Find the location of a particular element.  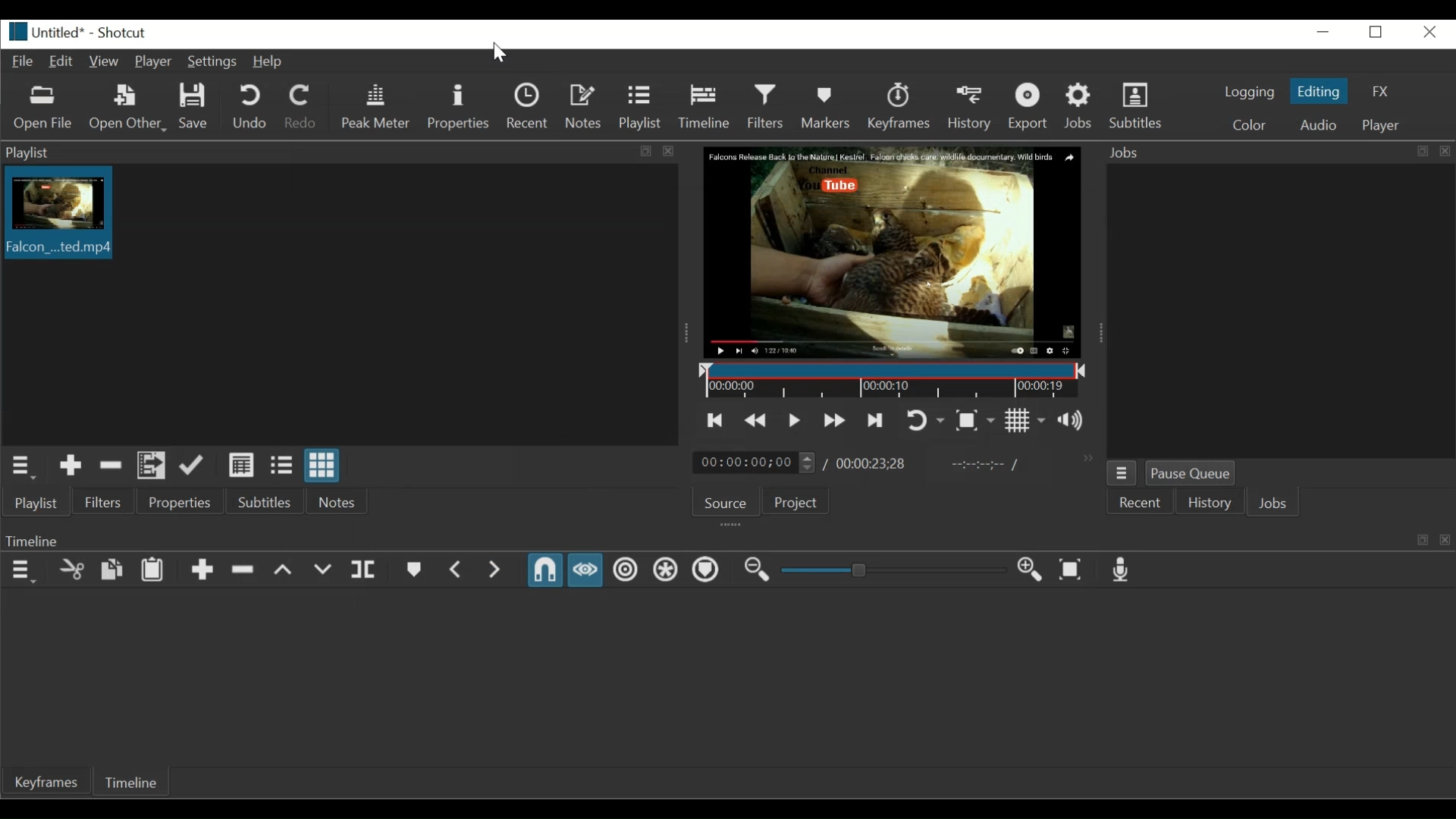

Jobs is located at coordinates (1276, 152).